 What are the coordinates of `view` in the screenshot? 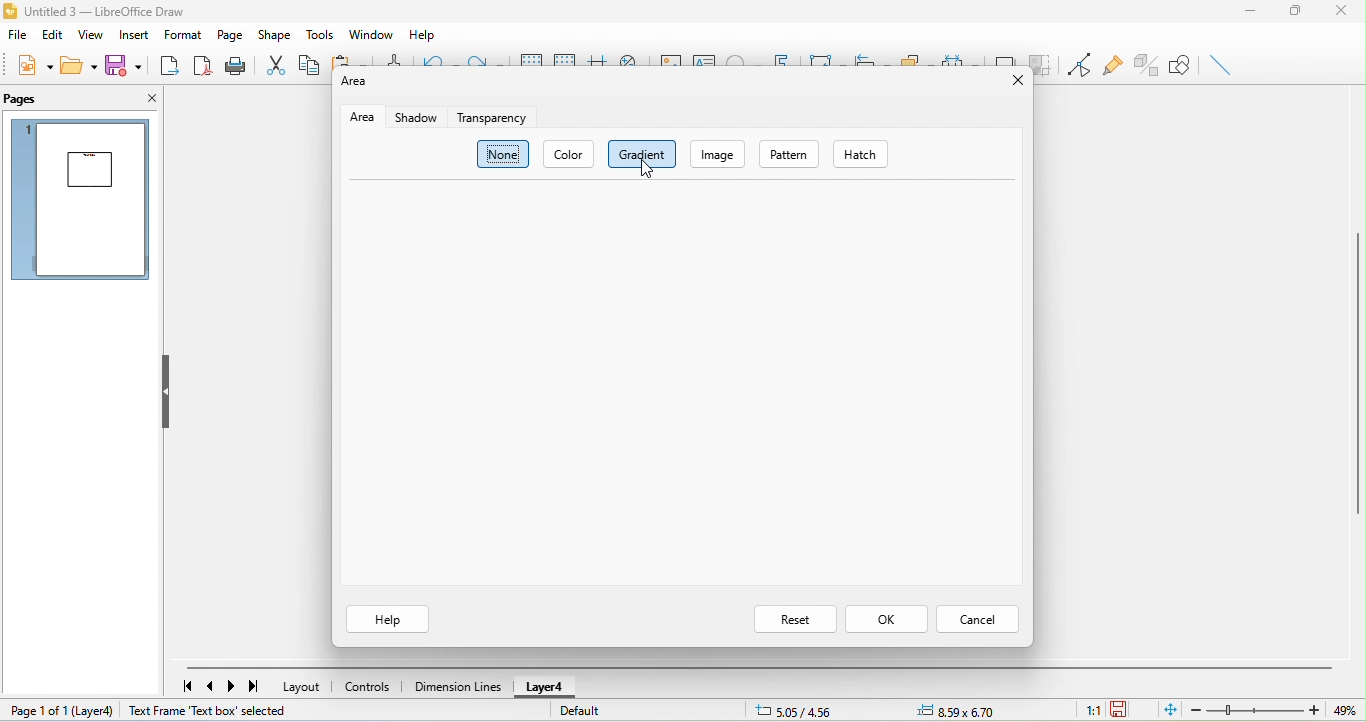 It's located at (92, 35).